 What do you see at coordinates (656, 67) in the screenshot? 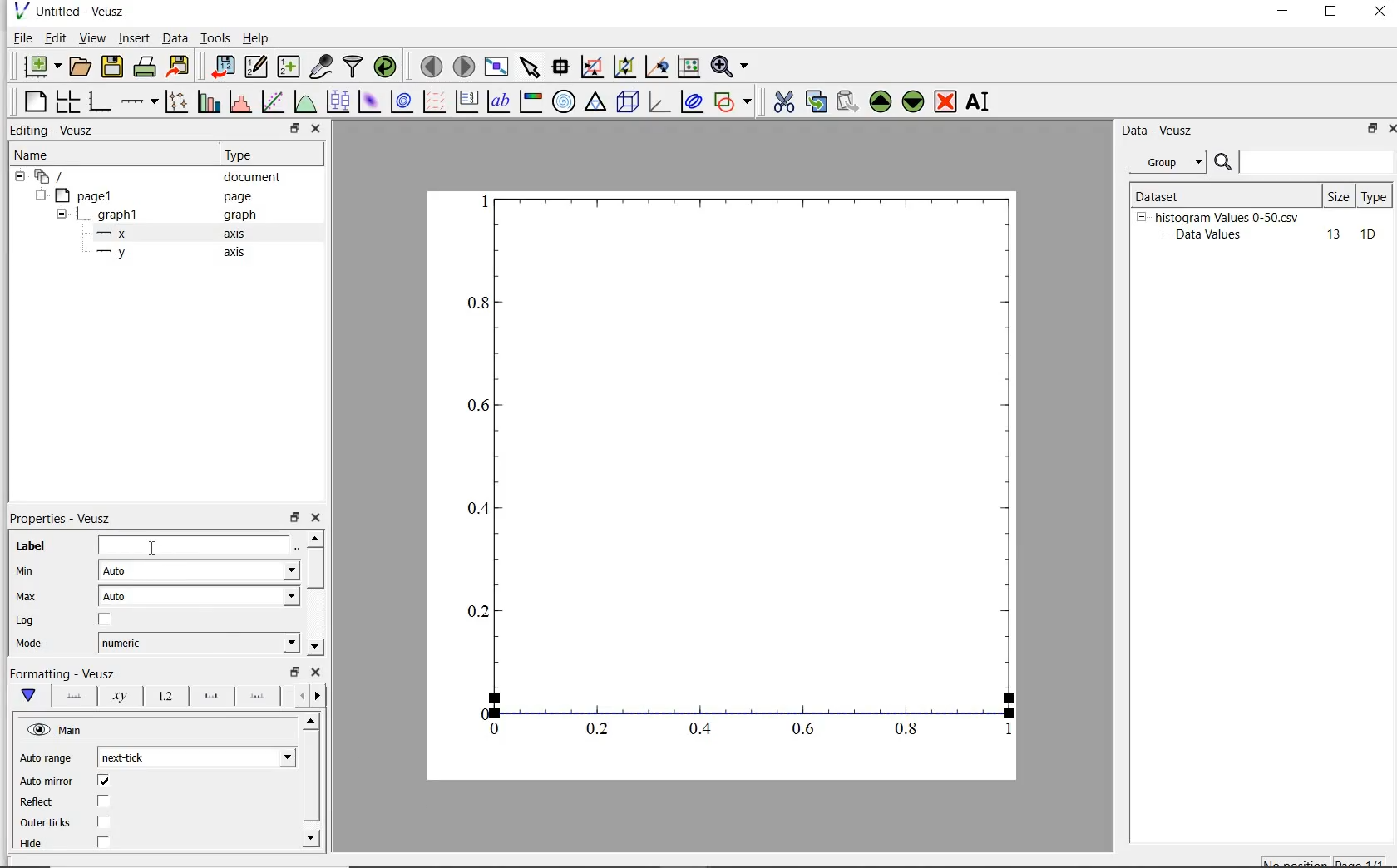
I see `click to zoom out on graph axes` at bounding box center [656, 67].